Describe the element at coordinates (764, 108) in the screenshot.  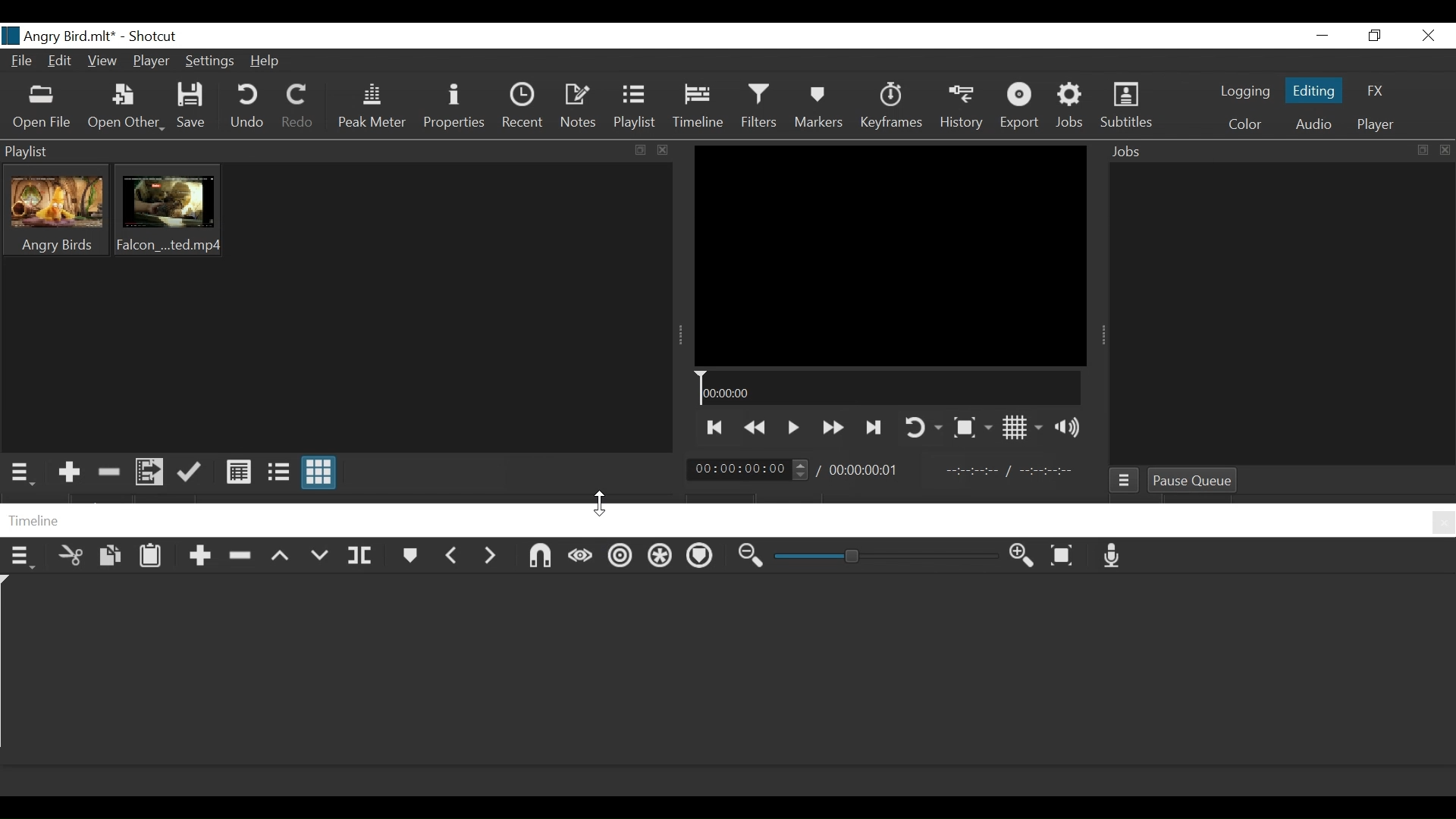
I see `Filters` at that location.